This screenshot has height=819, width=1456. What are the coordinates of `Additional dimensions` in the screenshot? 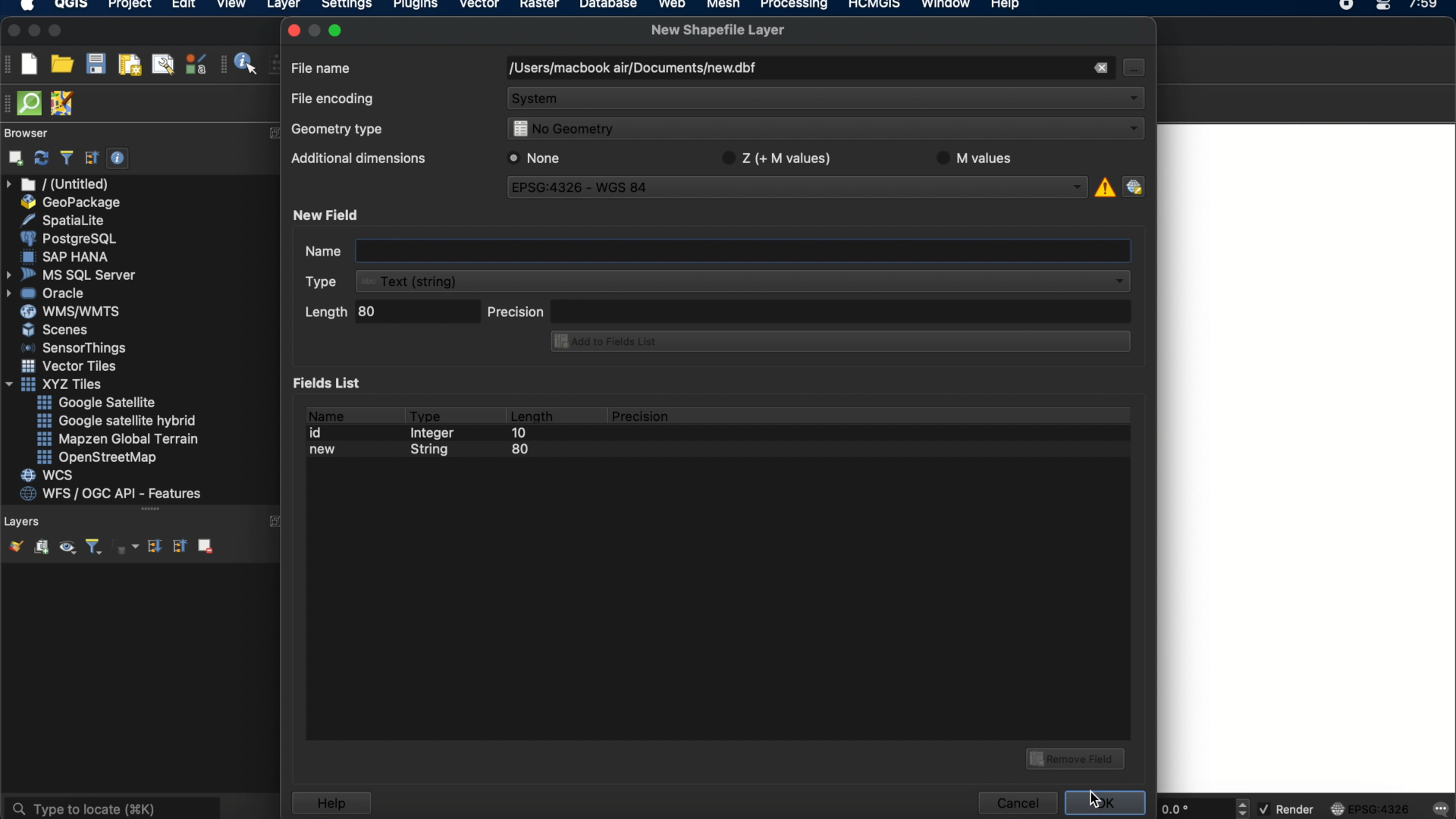 It's located at (356, 161).